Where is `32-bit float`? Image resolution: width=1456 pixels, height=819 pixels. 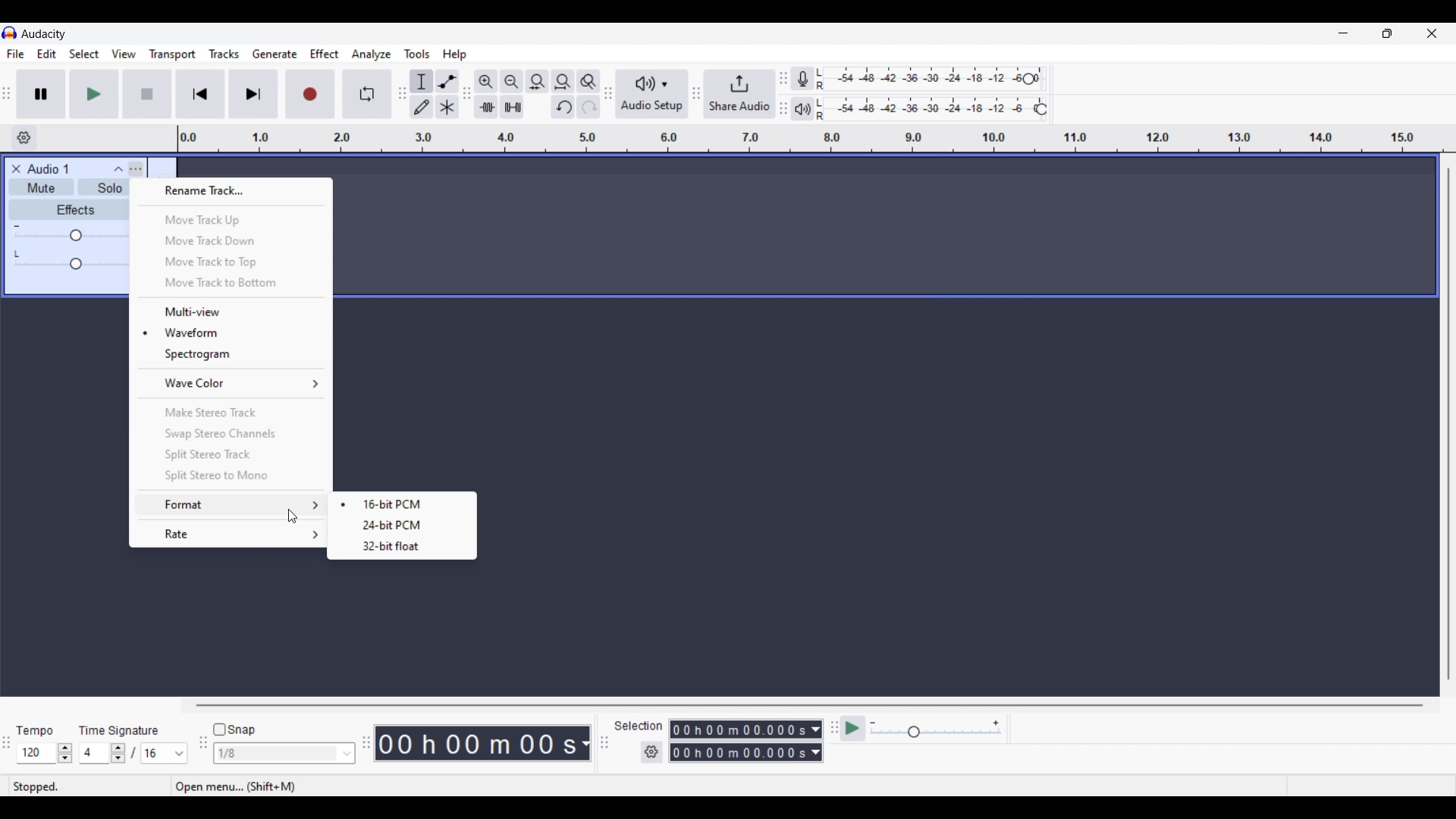
32-bit float is located at coordinates (387, 548).